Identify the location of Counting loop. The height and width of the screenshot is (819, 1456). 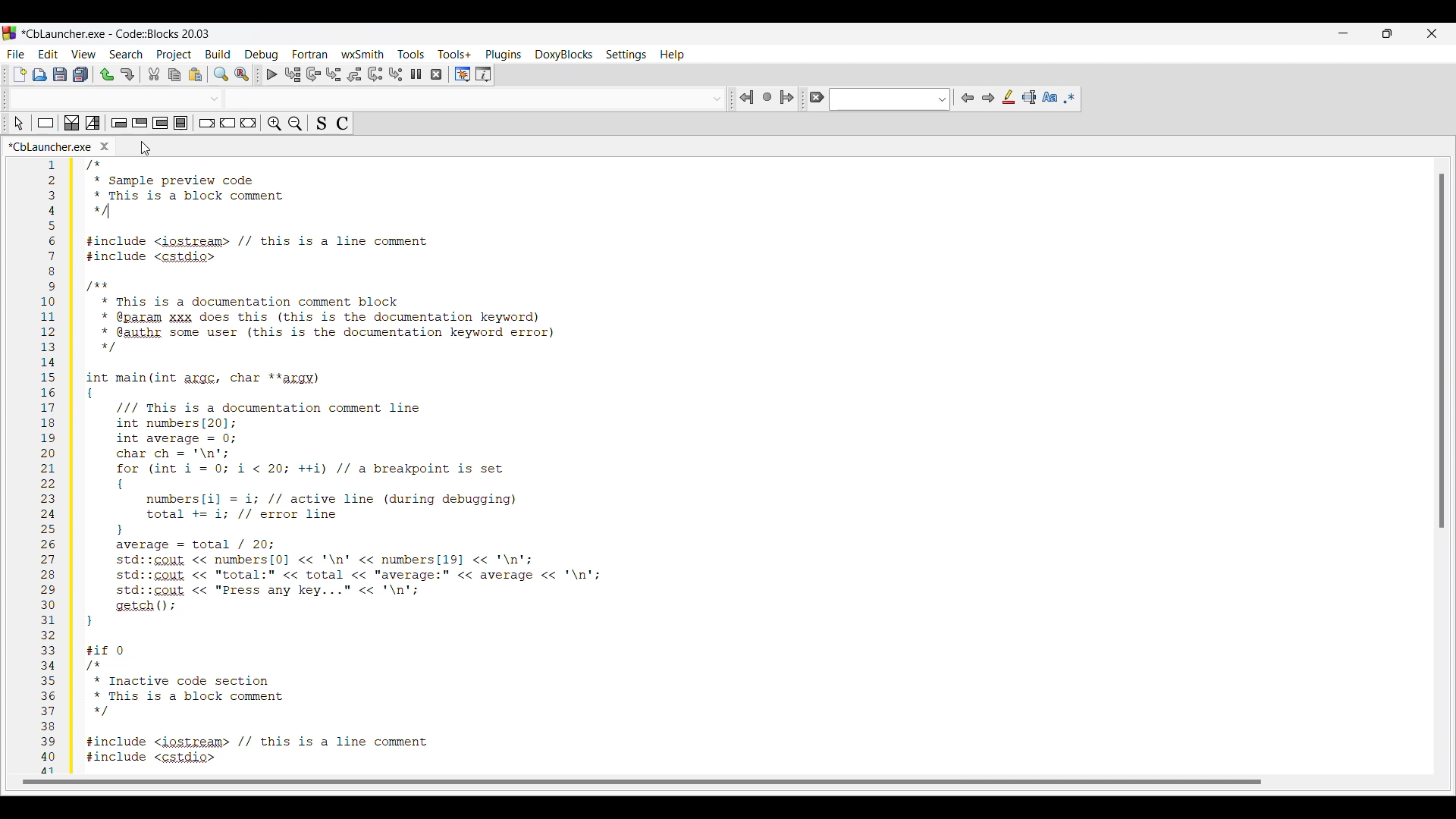
(160, 123).